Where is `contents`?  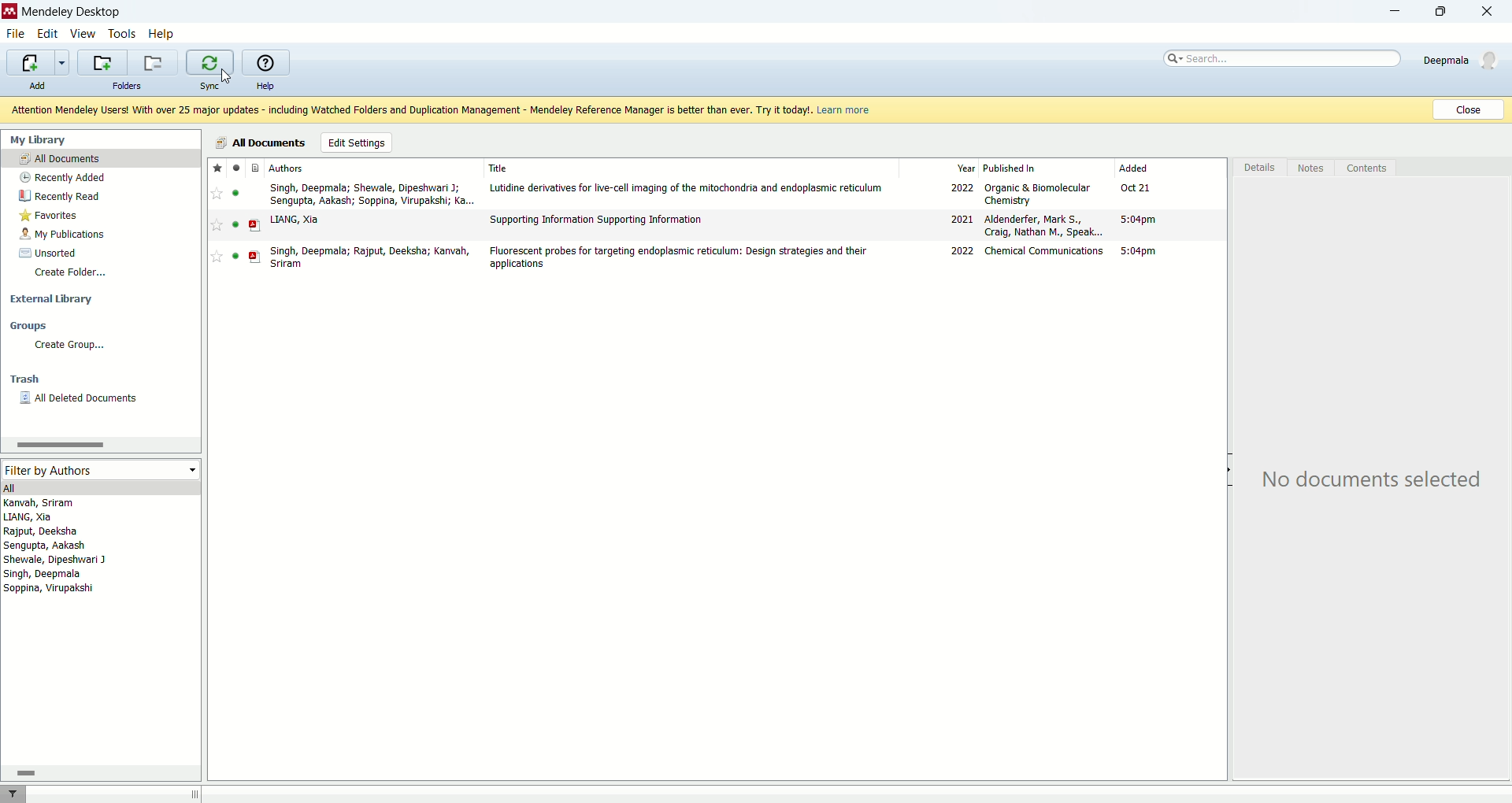
contents is located at coordinates (1373, 168).